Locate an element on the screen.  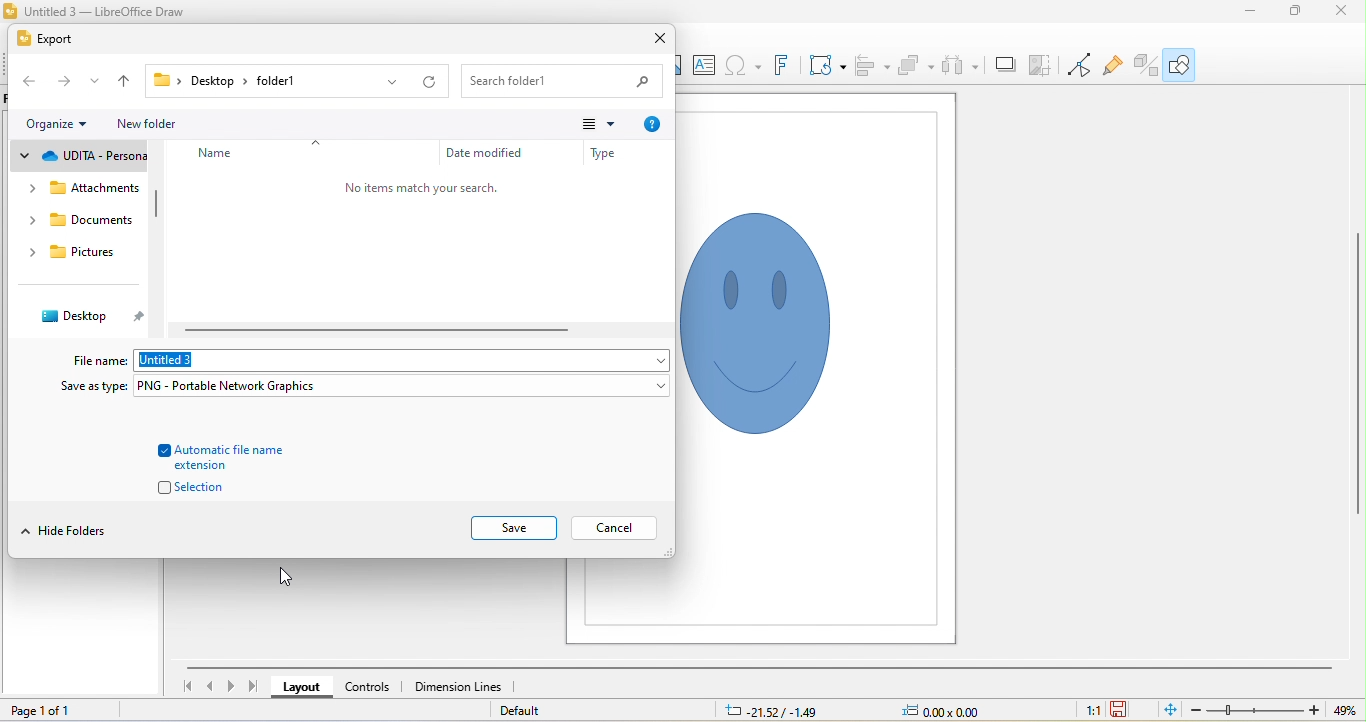
drop down is located at coordinates (94, 81).